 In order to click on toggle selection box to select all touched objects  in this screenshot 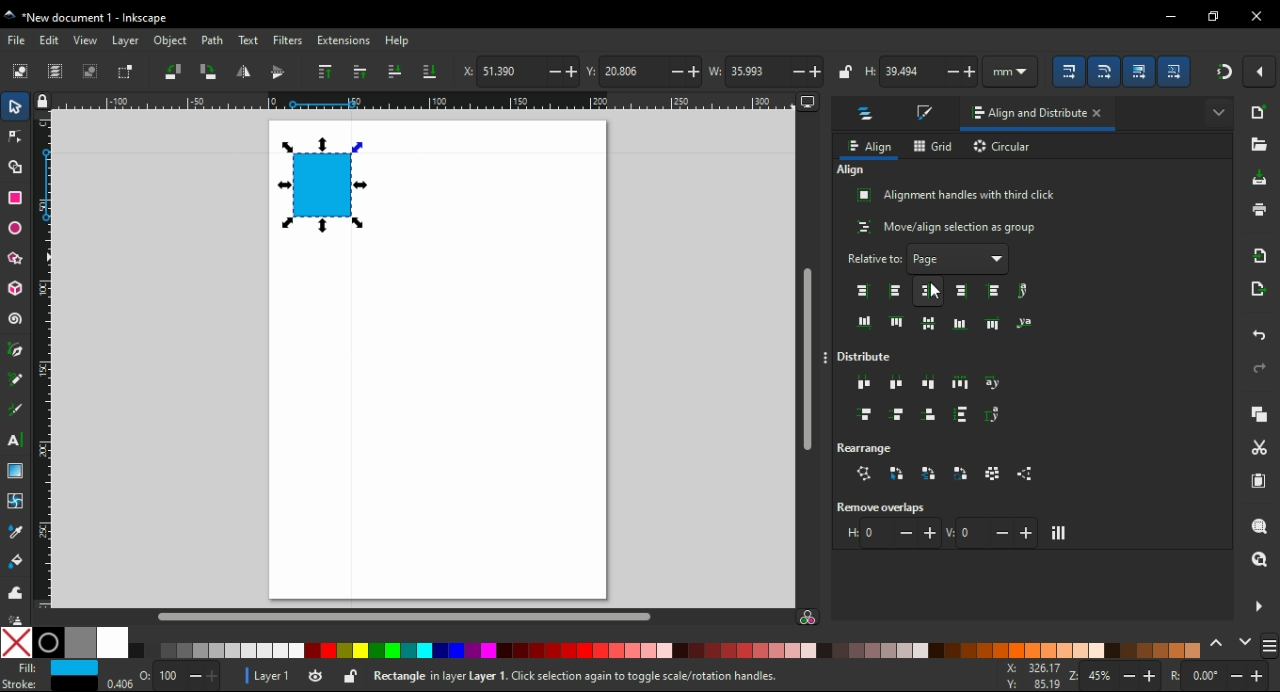, I will do `click(127, 73)`.